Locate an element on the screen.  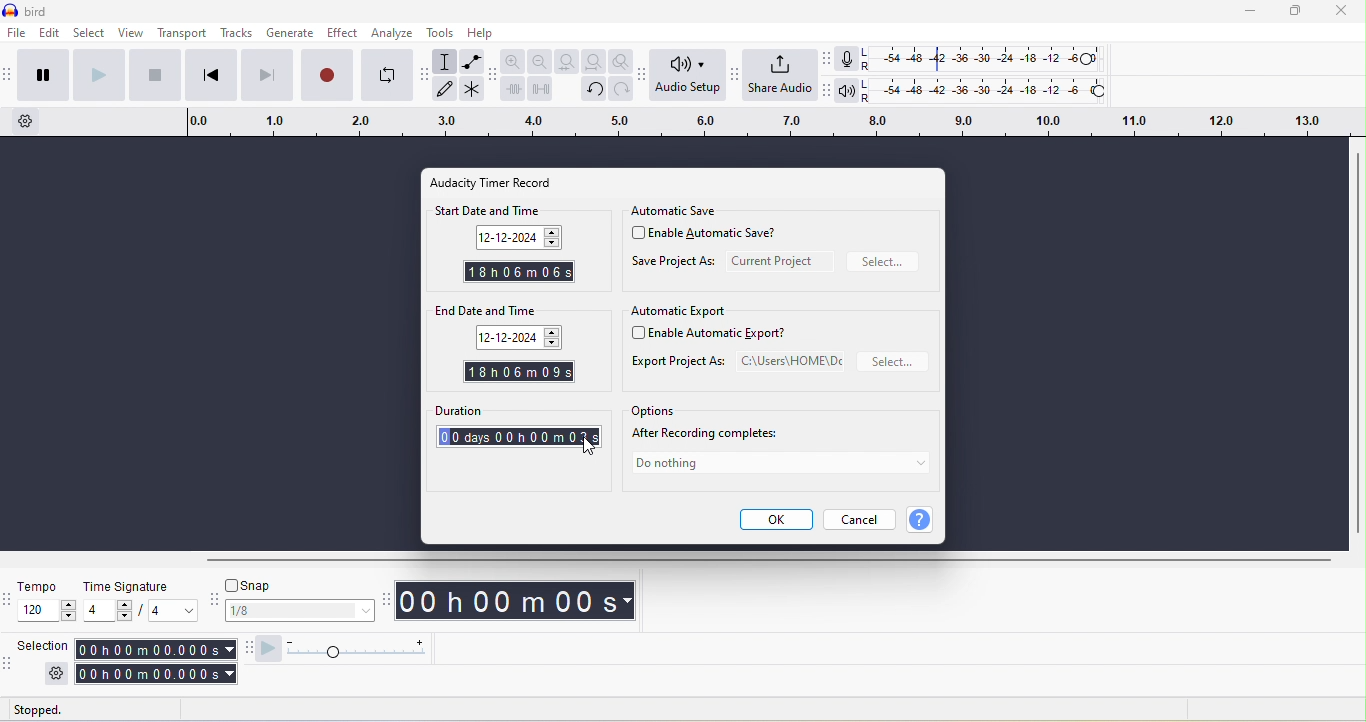
value is located at coordinates (165, 612).